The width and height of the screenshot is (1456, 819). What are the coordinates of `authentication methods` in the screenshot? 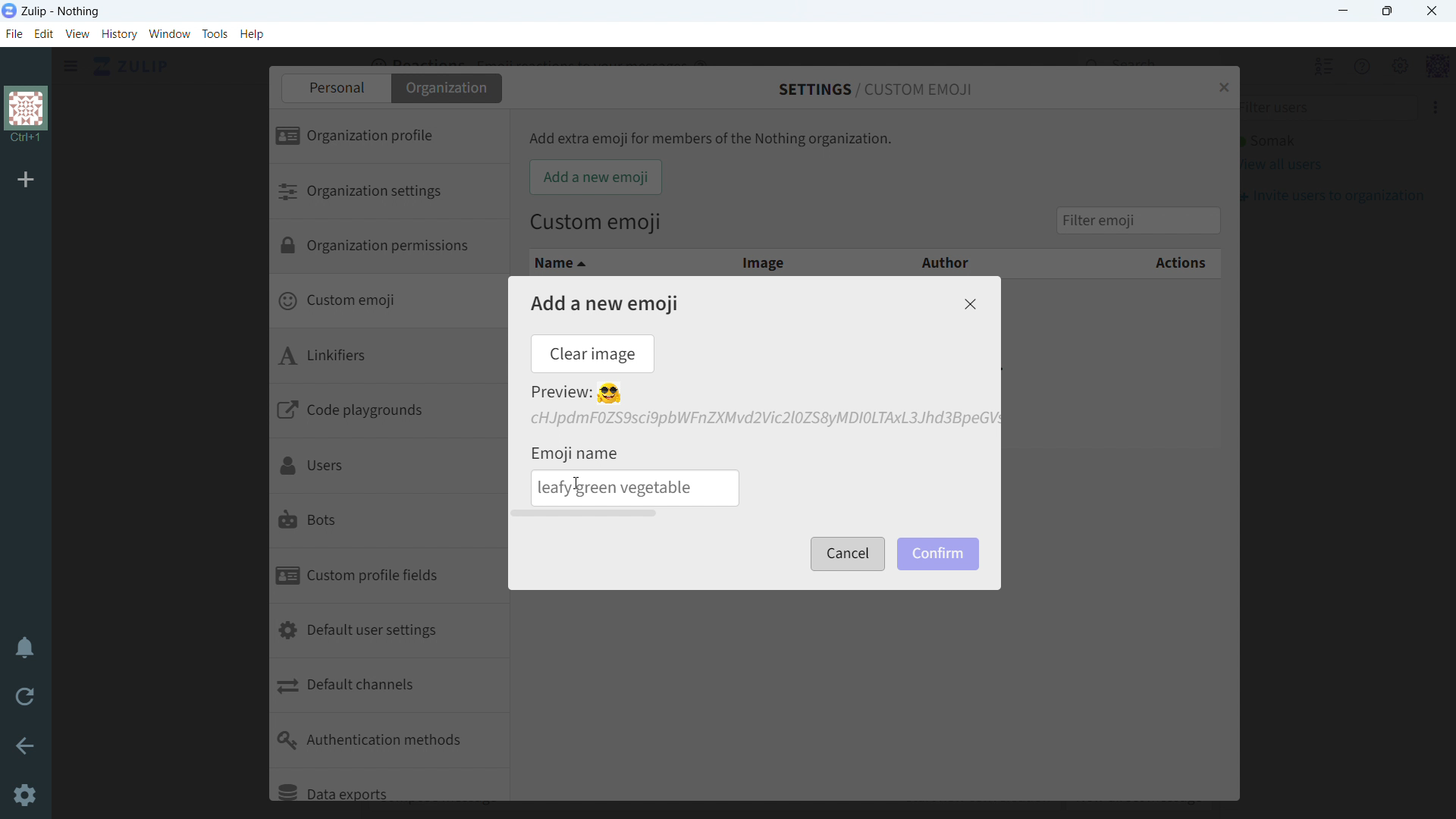 It's located at (389, 741).